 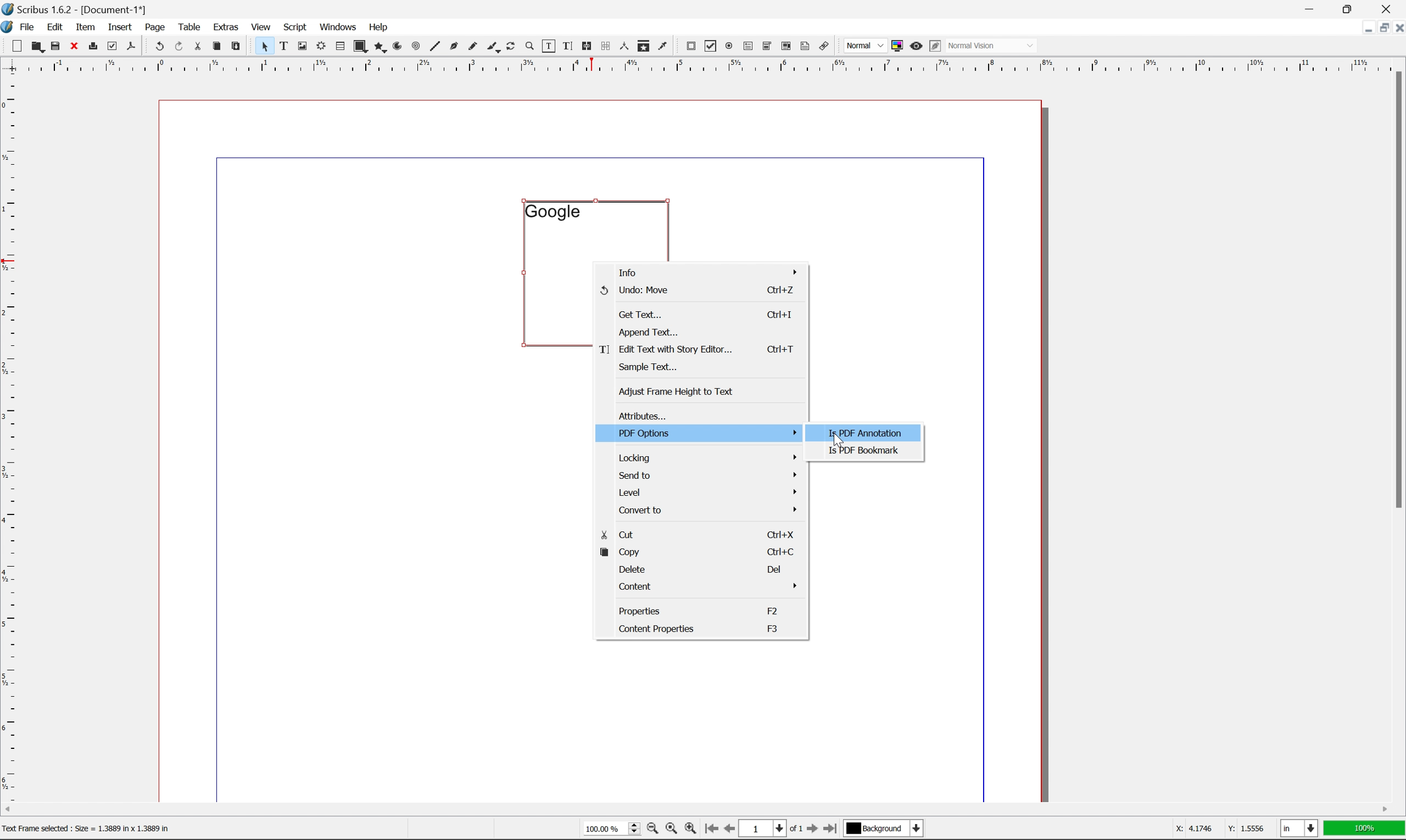 I want to click on edit text with story editor, so click(x=665, y=350).